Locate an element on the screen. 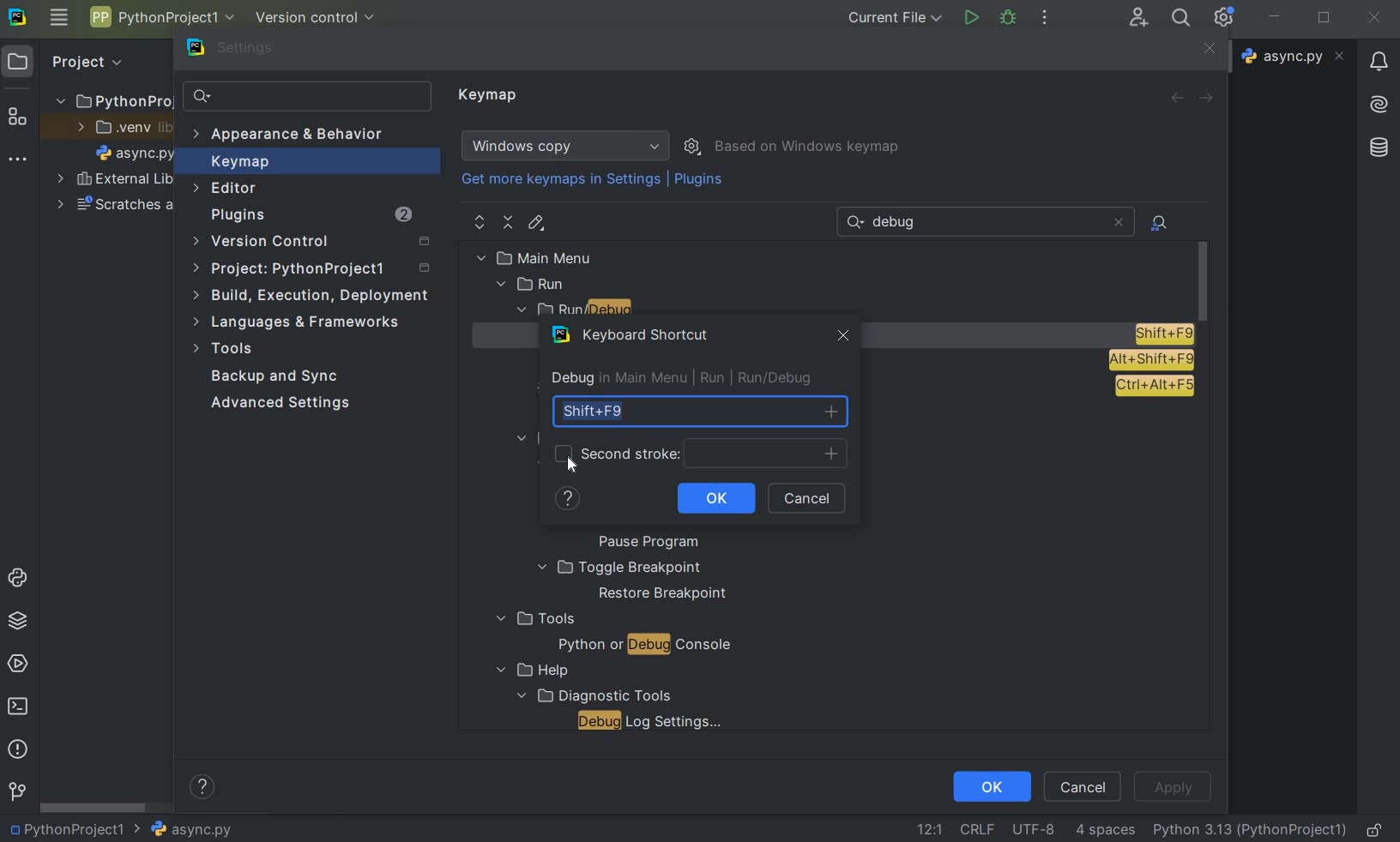 The width and height of the screenshot is (1400, 842). file name is located at coordinates (136, 156).